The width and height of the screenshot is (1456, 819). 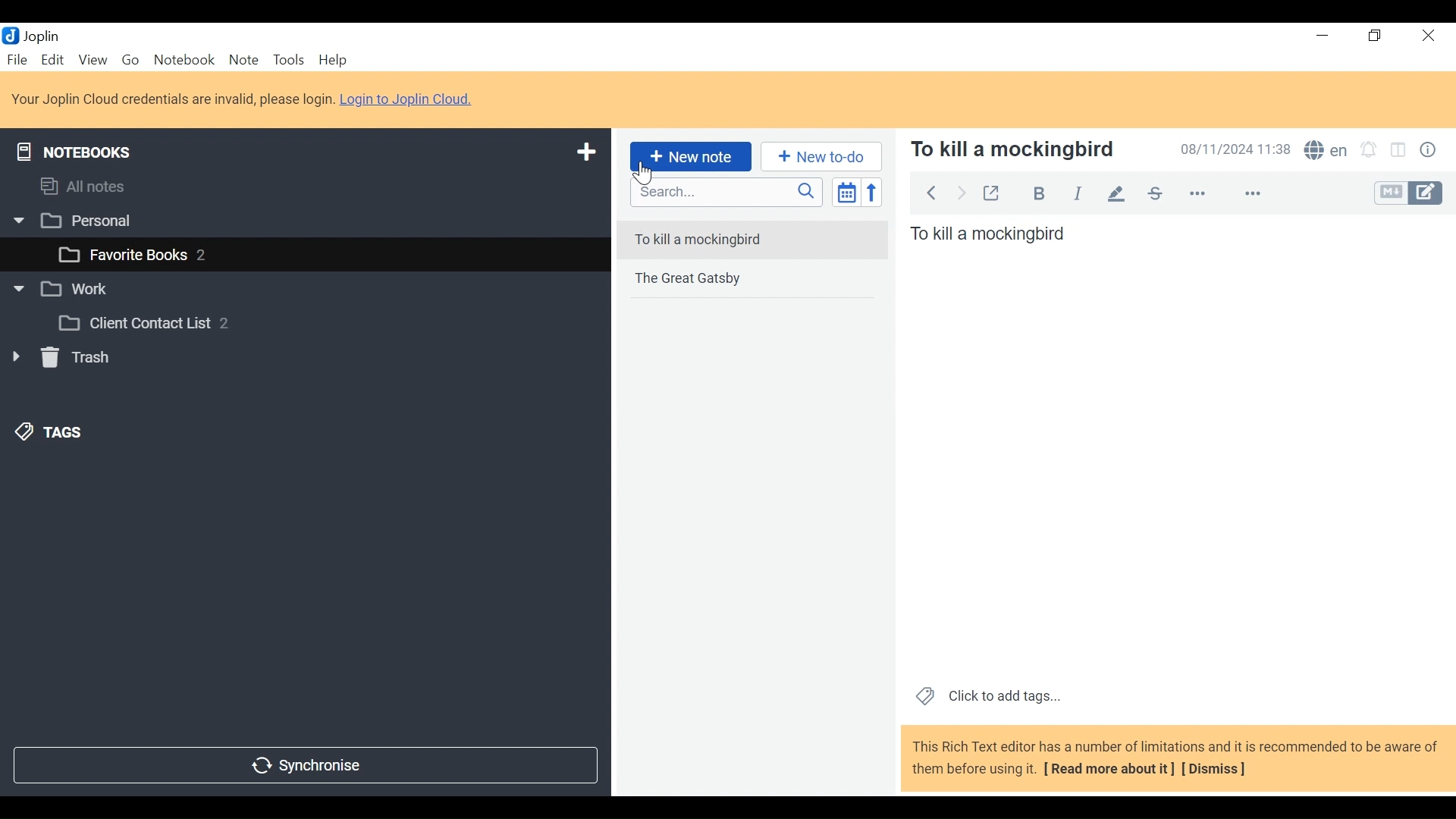 I want to click on Strikethrough, so click(x=1156, y=195).